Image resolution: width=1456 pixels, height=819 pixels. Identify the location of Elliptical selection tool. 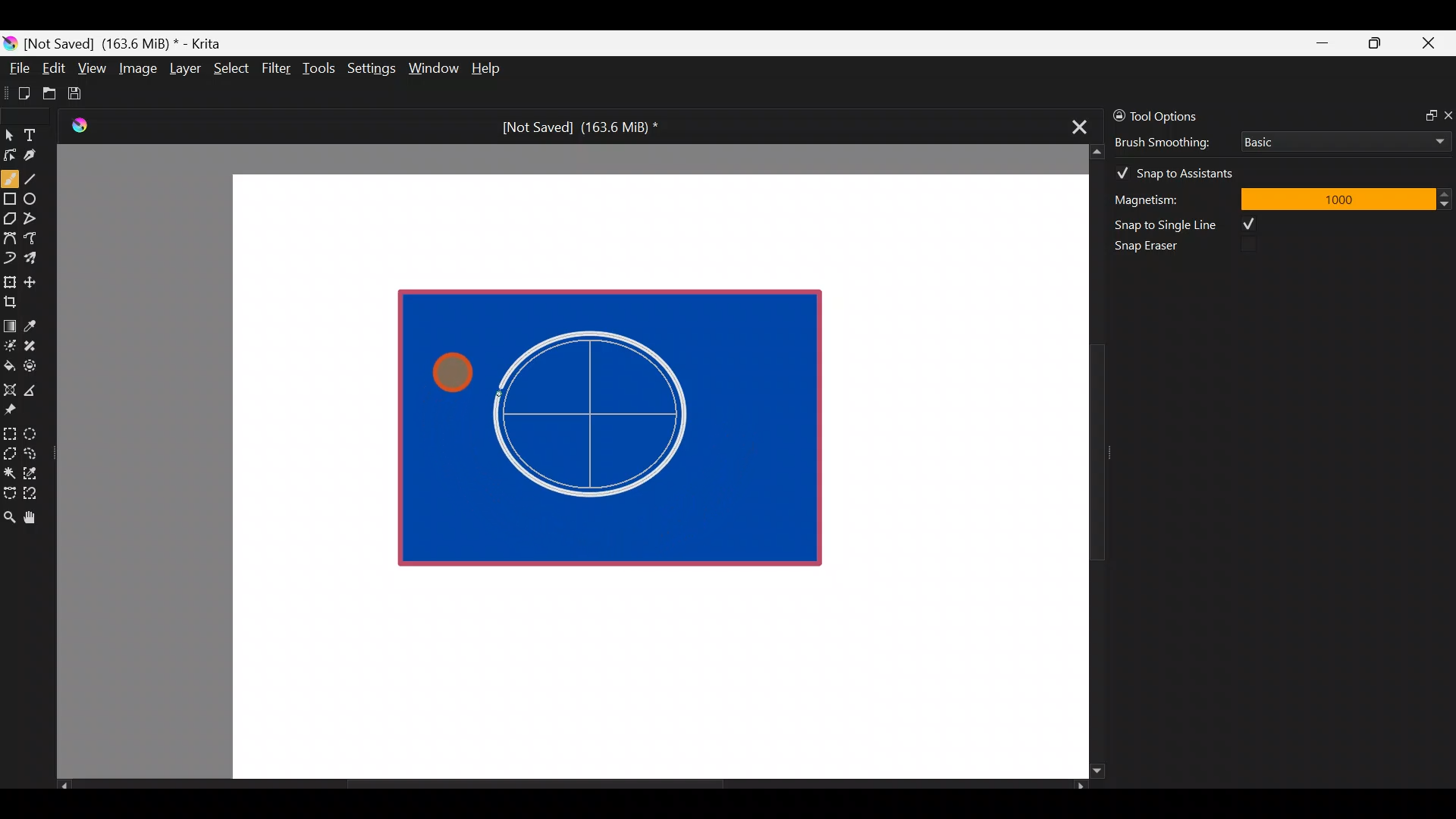
(36, 431).